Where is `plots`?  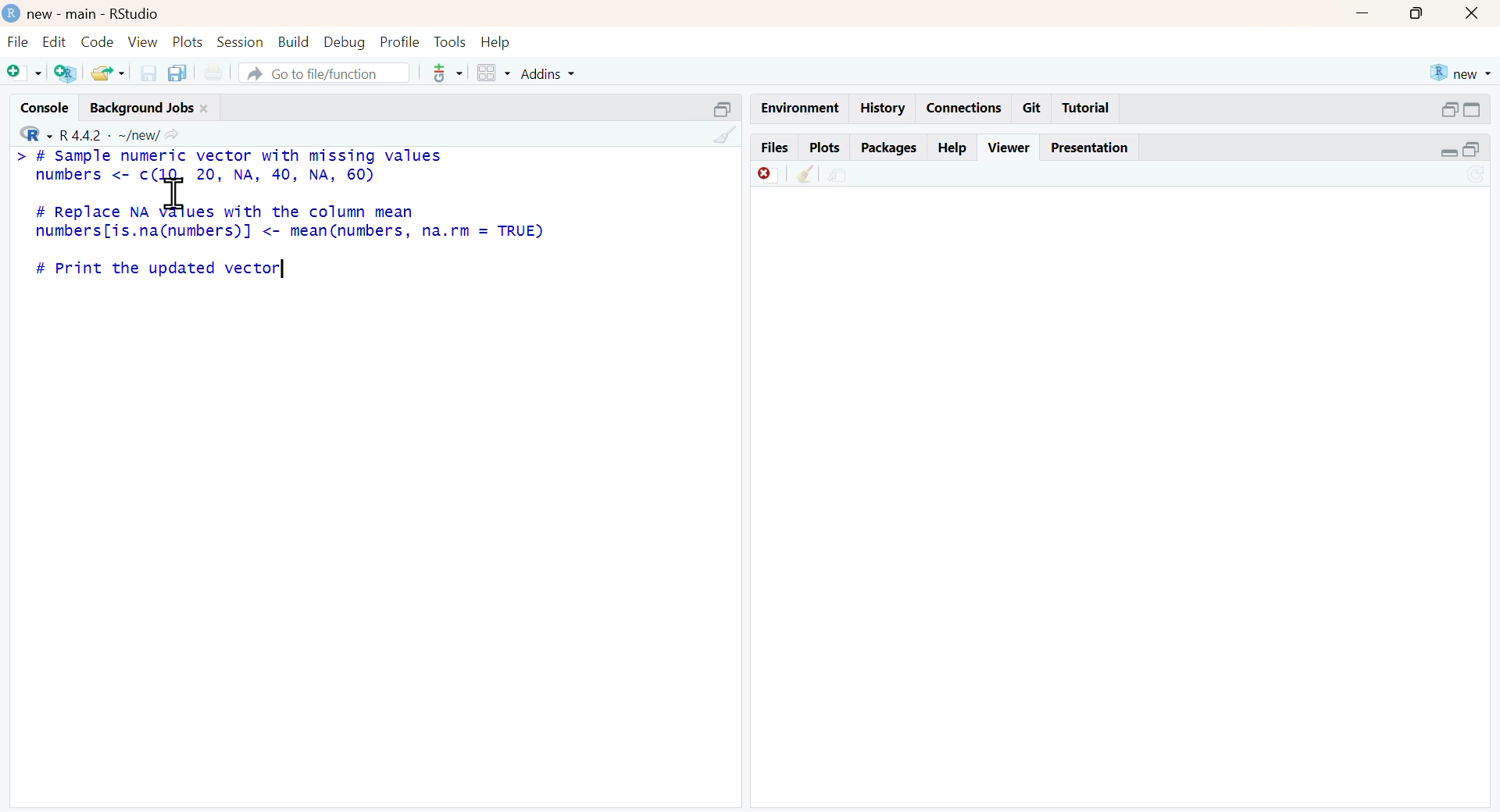
plots is located at coordinates (189, 43).